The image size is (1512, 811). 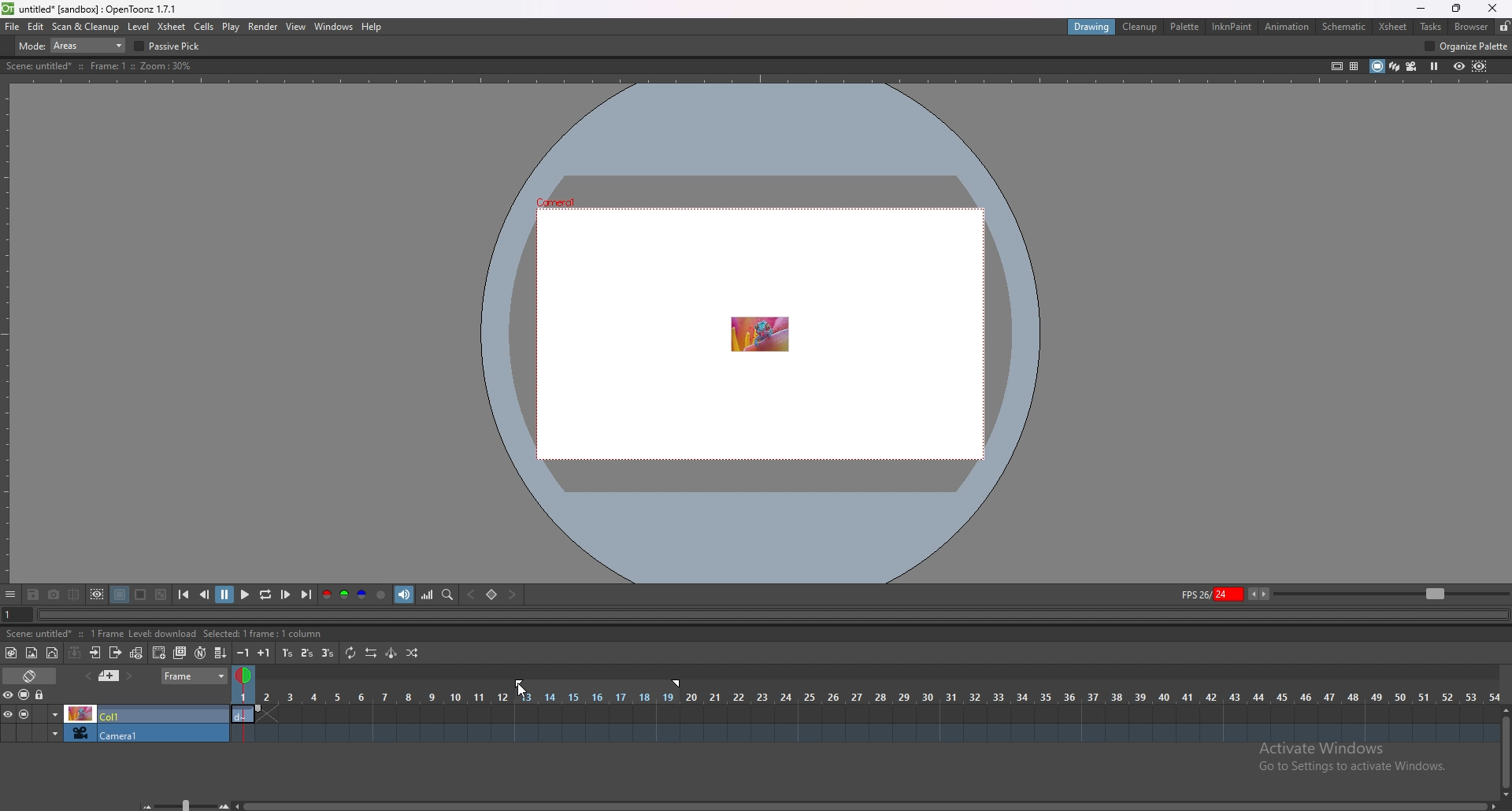 I want to click on loop, so click(x=266, y=594).